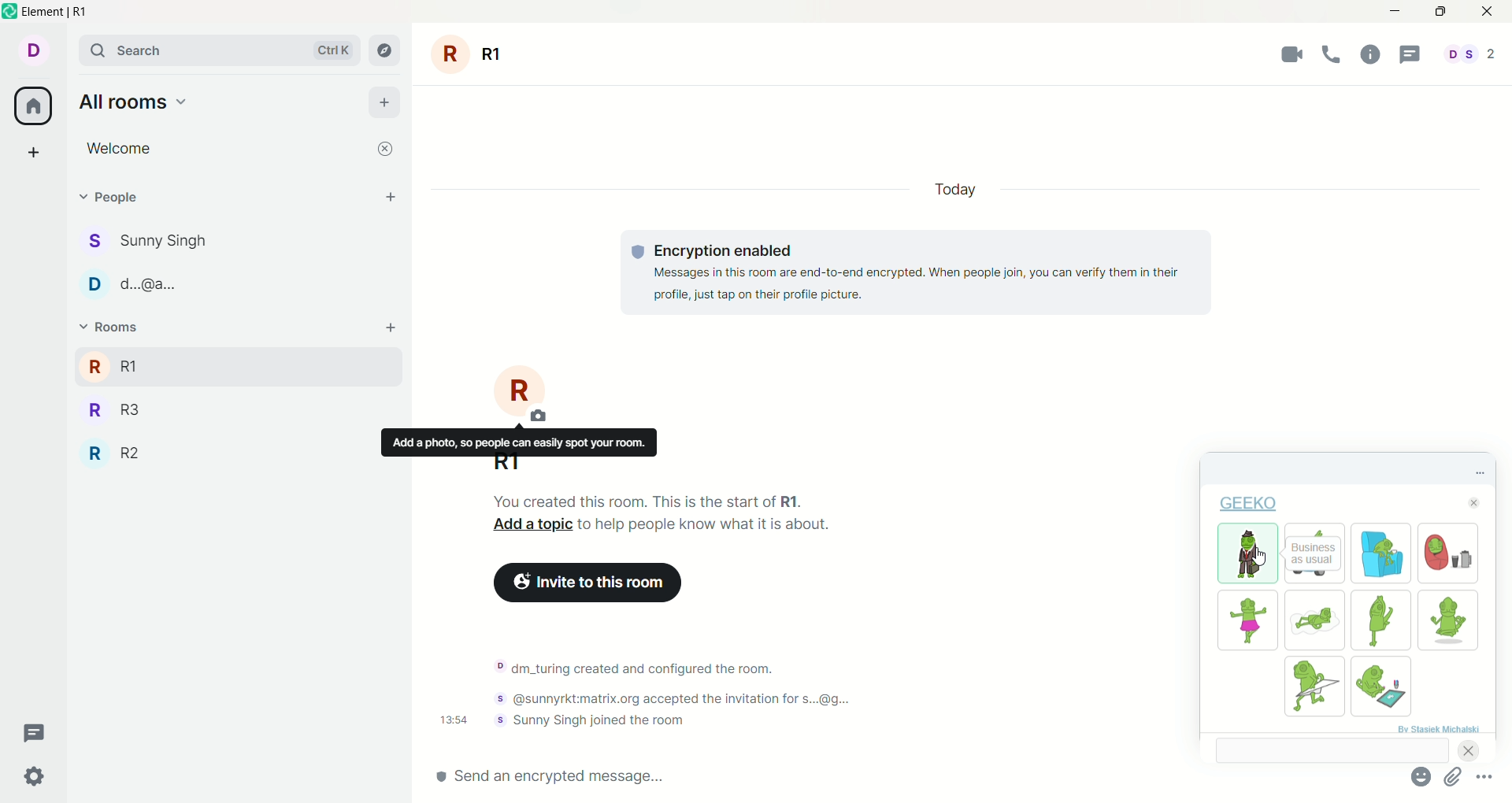  I want to click on home, so click(32, 105).